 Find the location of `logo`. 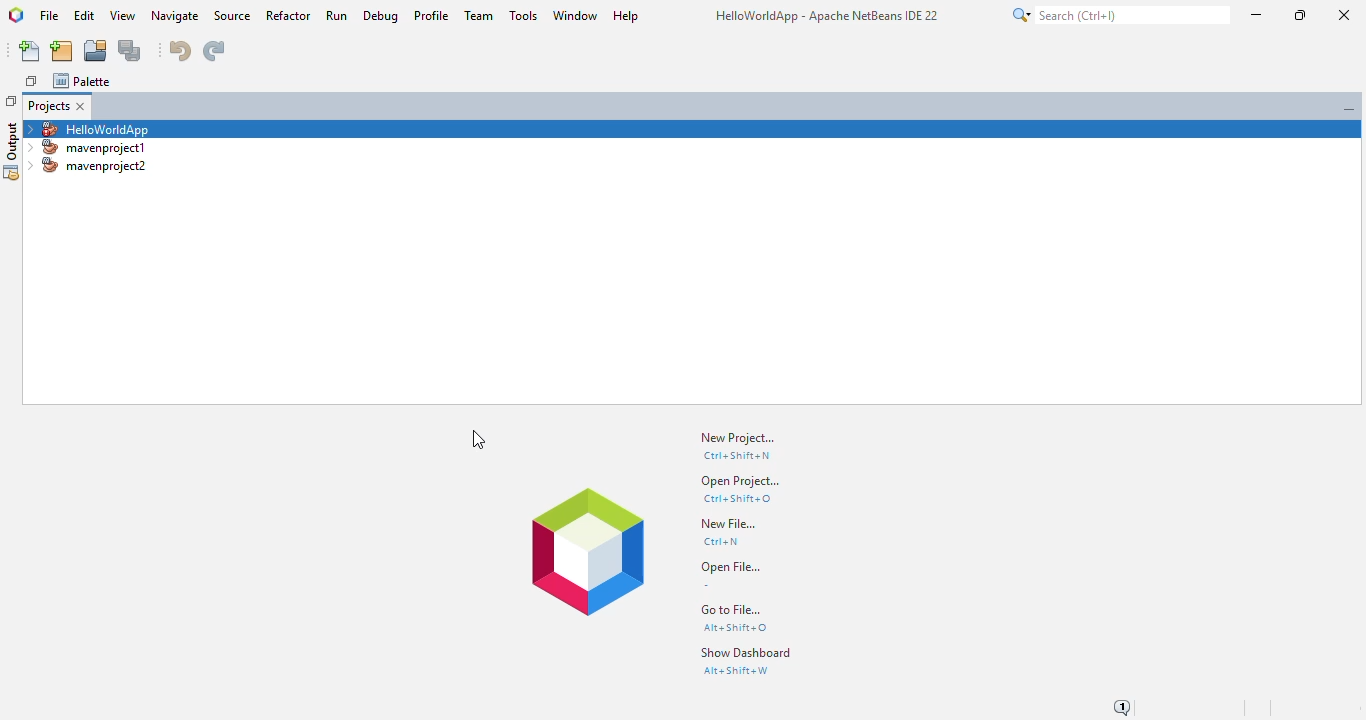

logo is located at coordinates (16, 15).